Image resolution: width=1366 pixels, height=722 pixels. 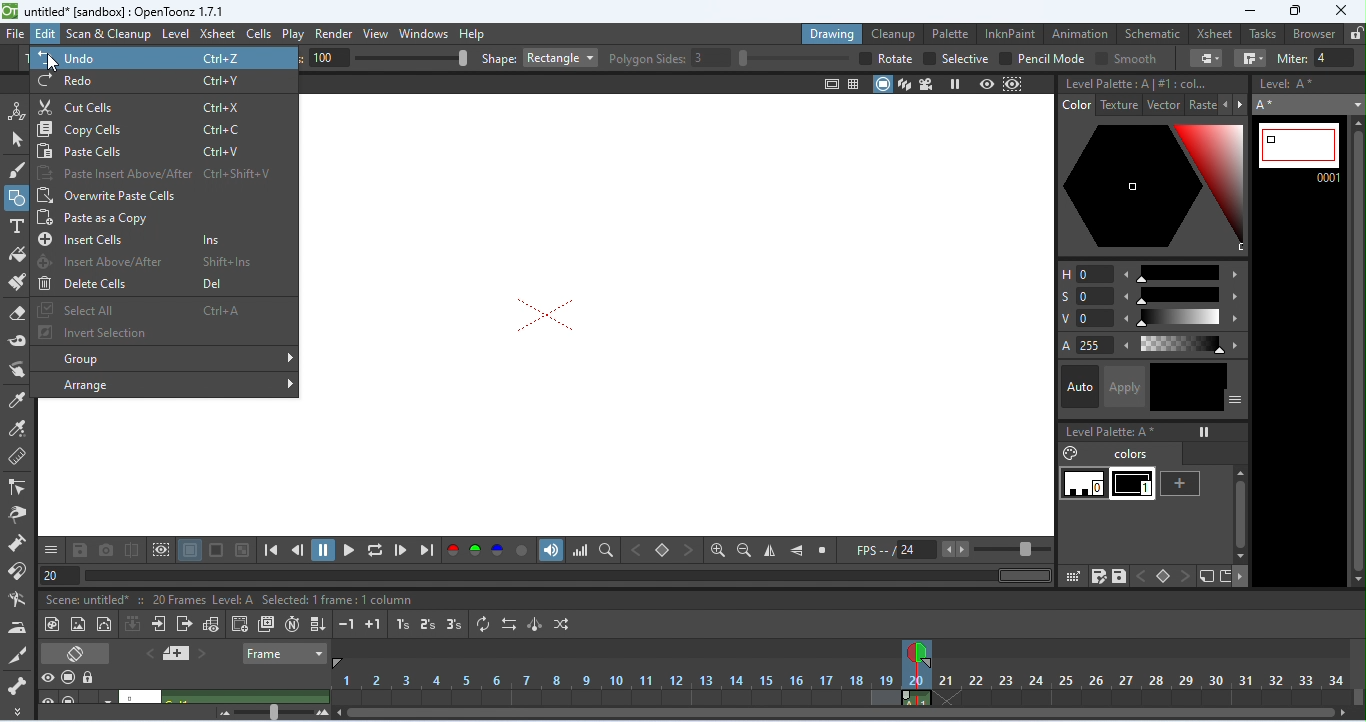 I want to click on select level, so click(x=1309, y=105).